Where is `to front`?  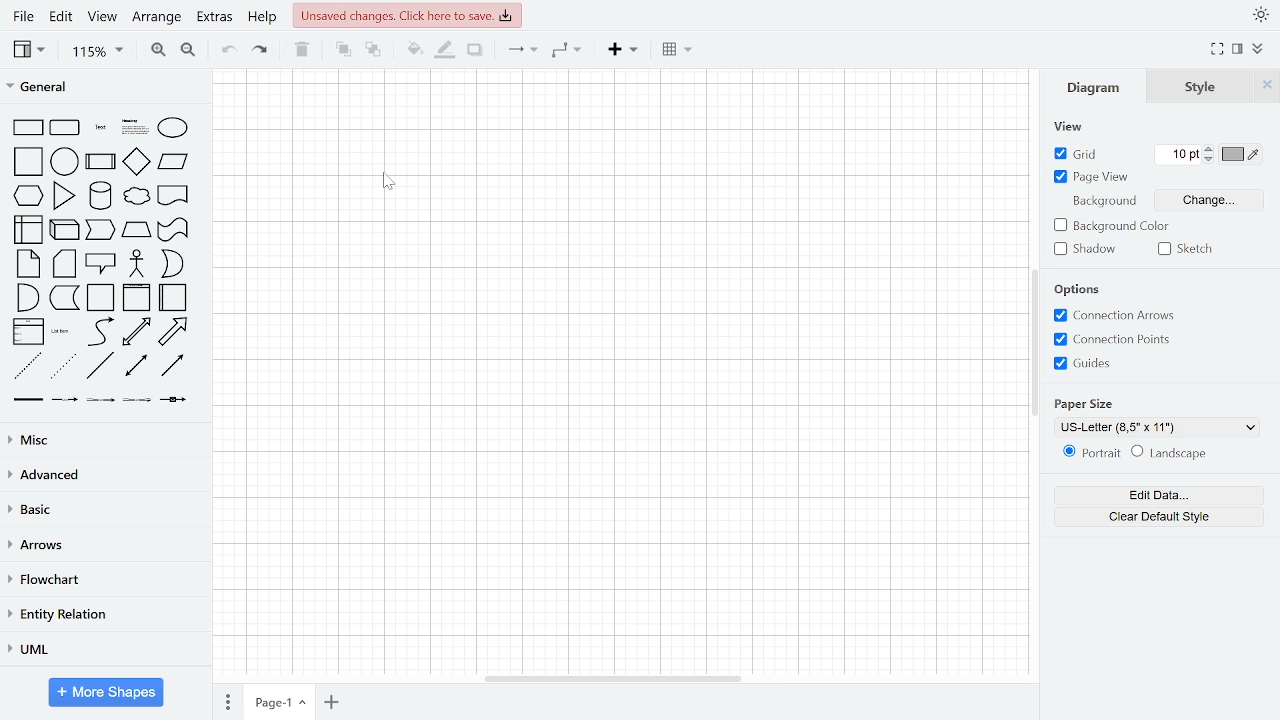 to front is located at coordinates (339, 49).